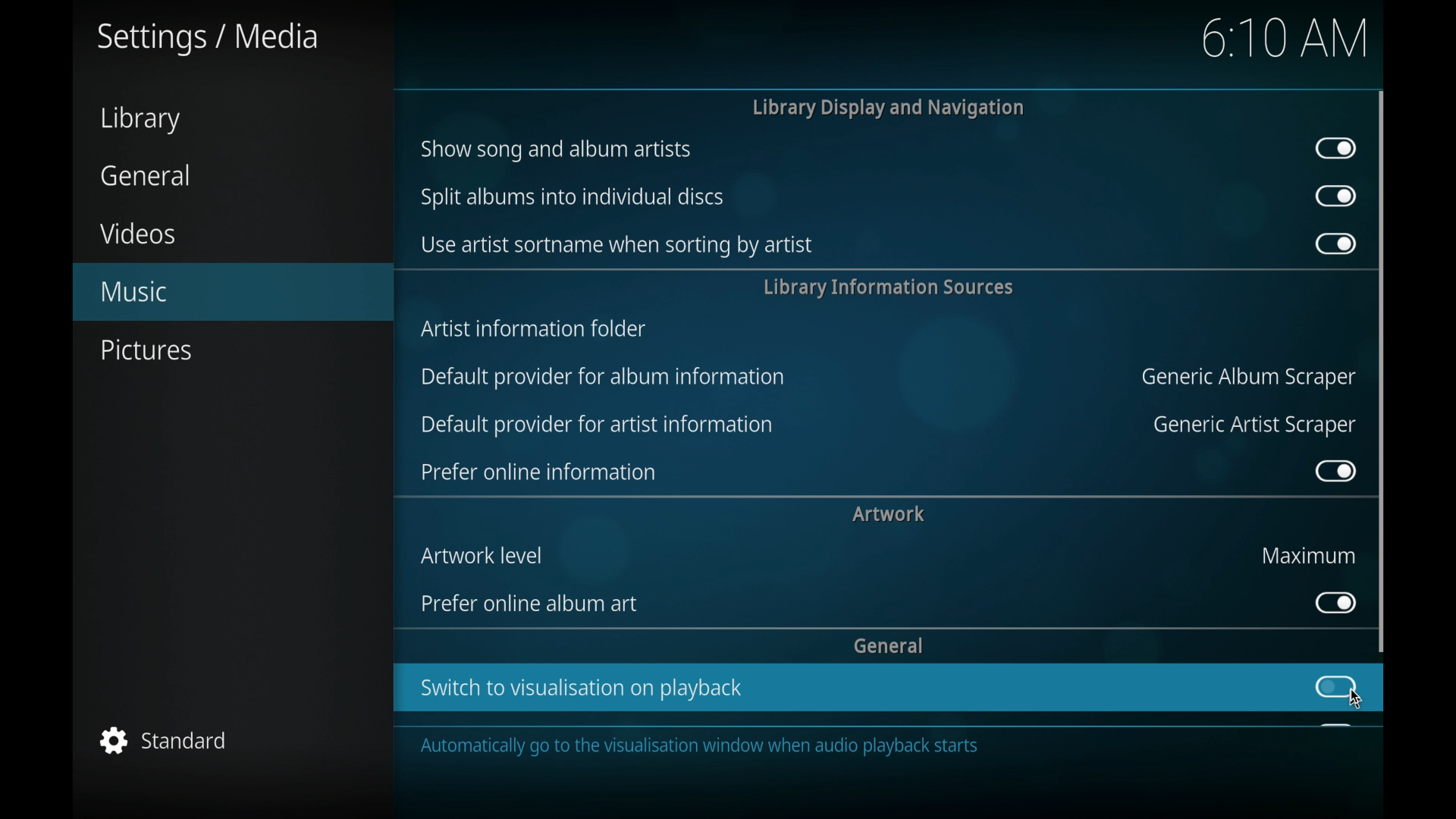 The width and height of the screenshot is (1456, 819). I want to click on use artist, so click(615, 246).